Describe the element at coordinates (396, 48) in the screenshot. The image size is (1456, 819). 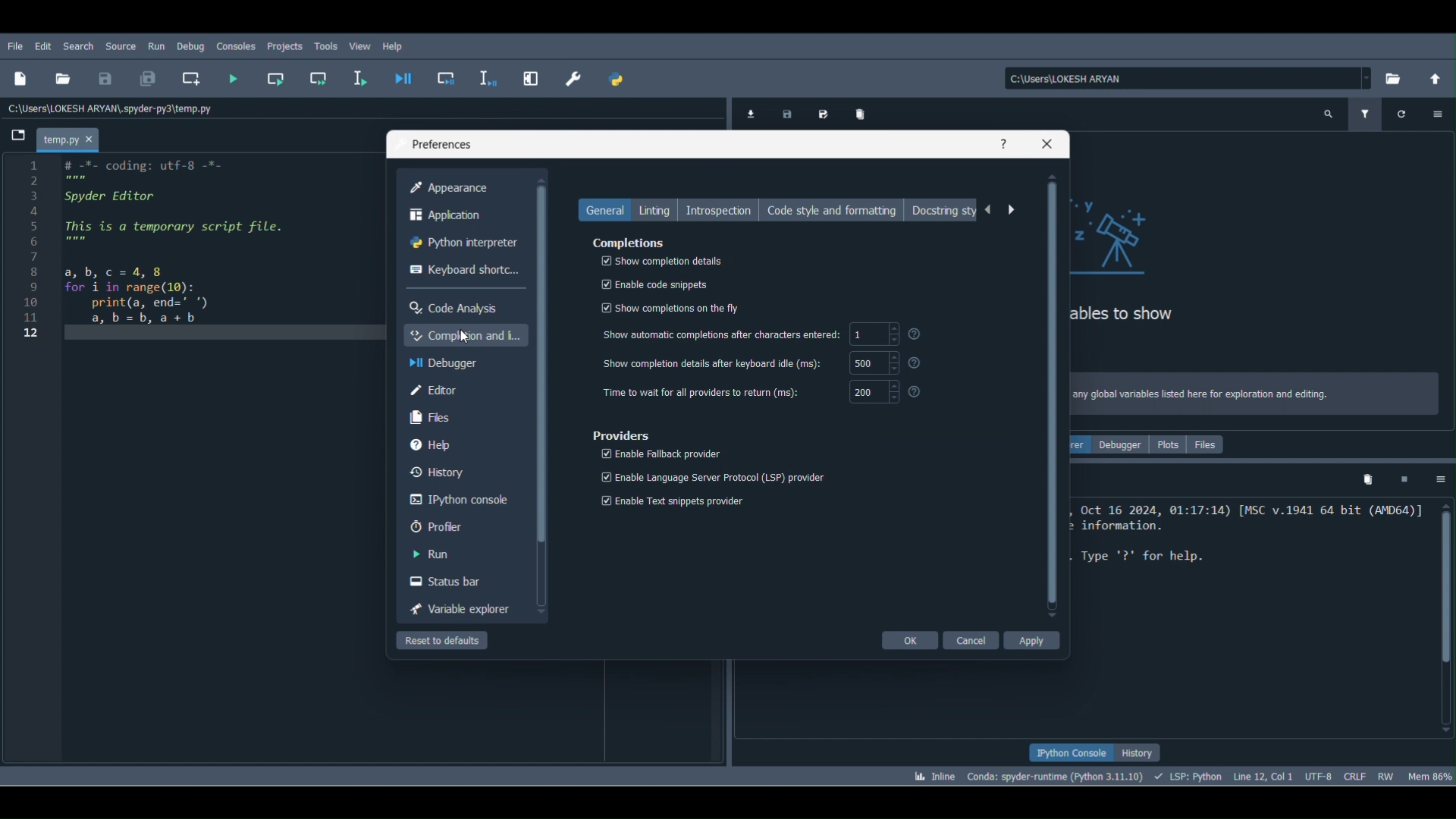
I see `Help` at that location.